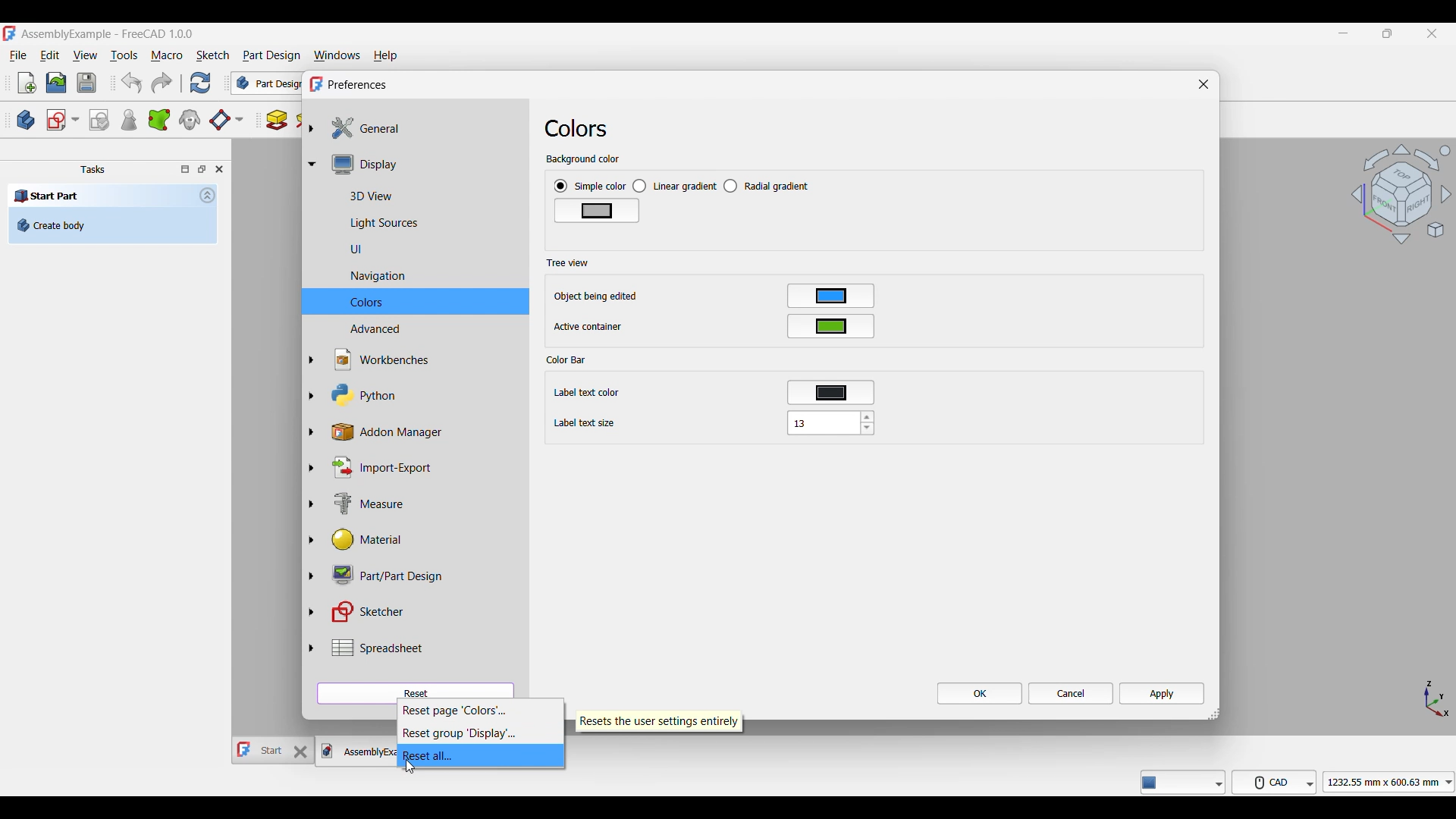 This screenshot has height=819, width=1456. I want to click on Increase/Decrease label text size, so click(868, 422).